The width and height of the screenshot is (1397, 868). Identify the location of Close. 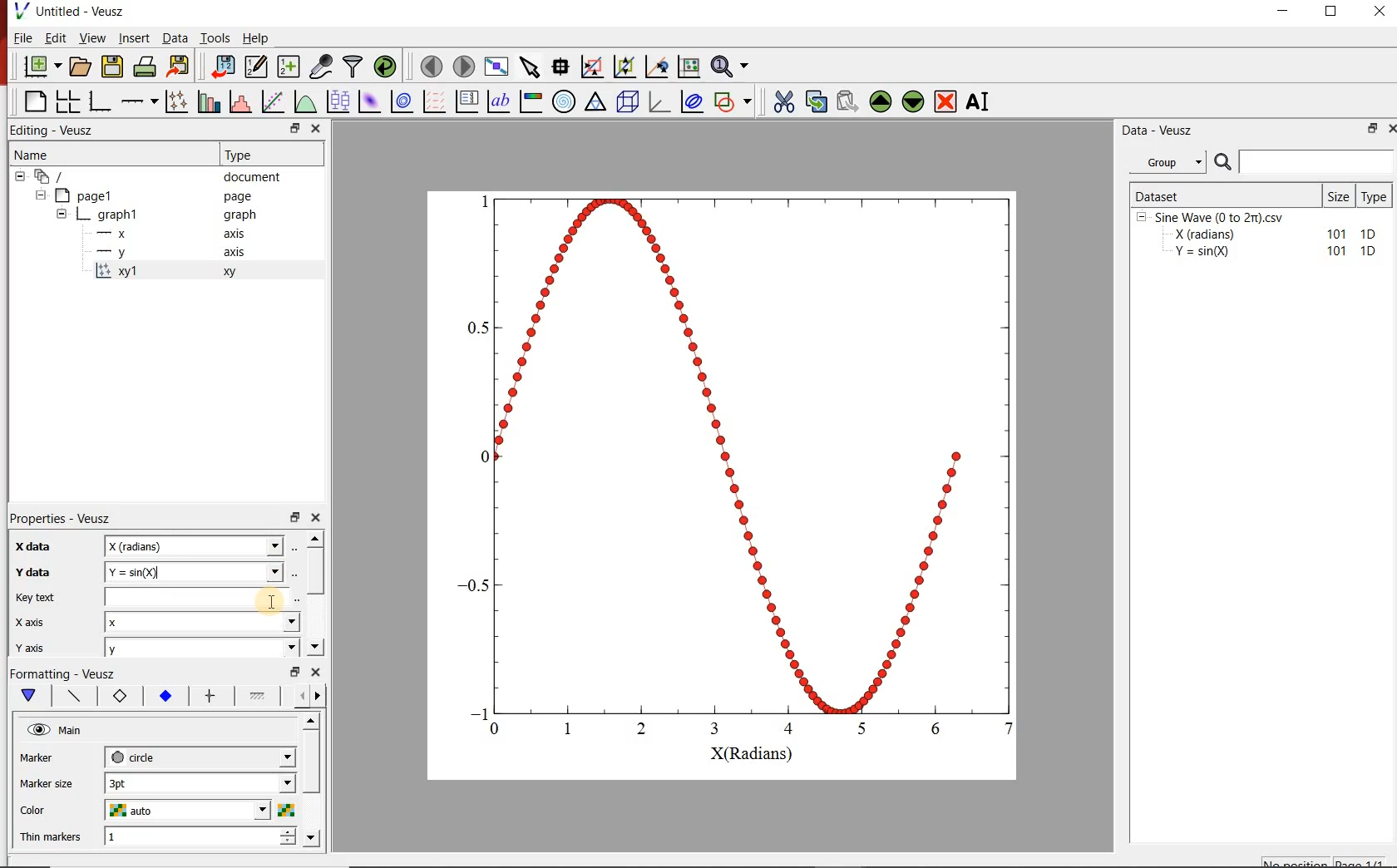
(1389, 131).